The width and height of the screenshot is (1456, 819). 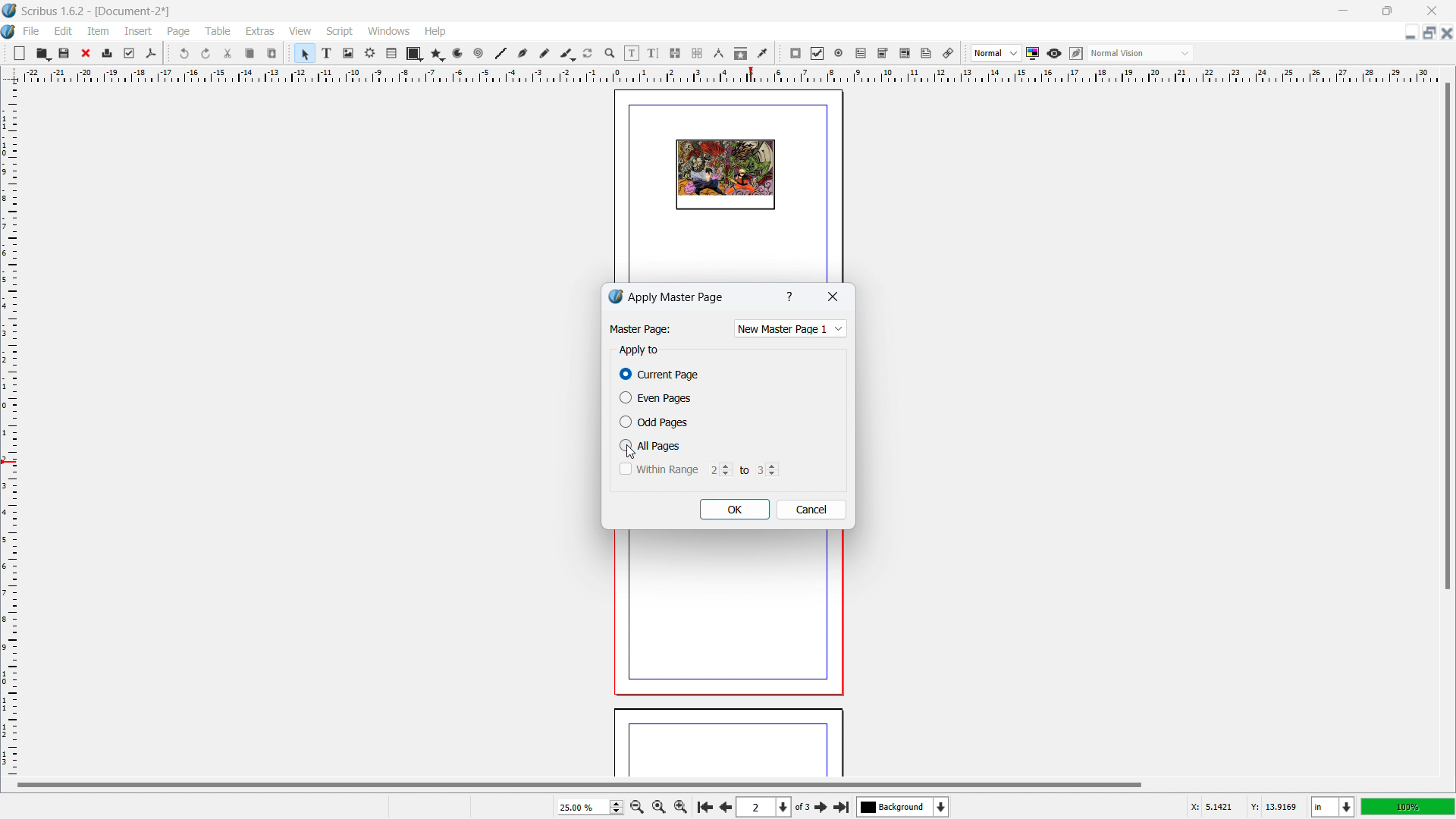 What do you see at coordinates (87, 53) in the screenshot?
I see `close` at bounding box center [87, 53].